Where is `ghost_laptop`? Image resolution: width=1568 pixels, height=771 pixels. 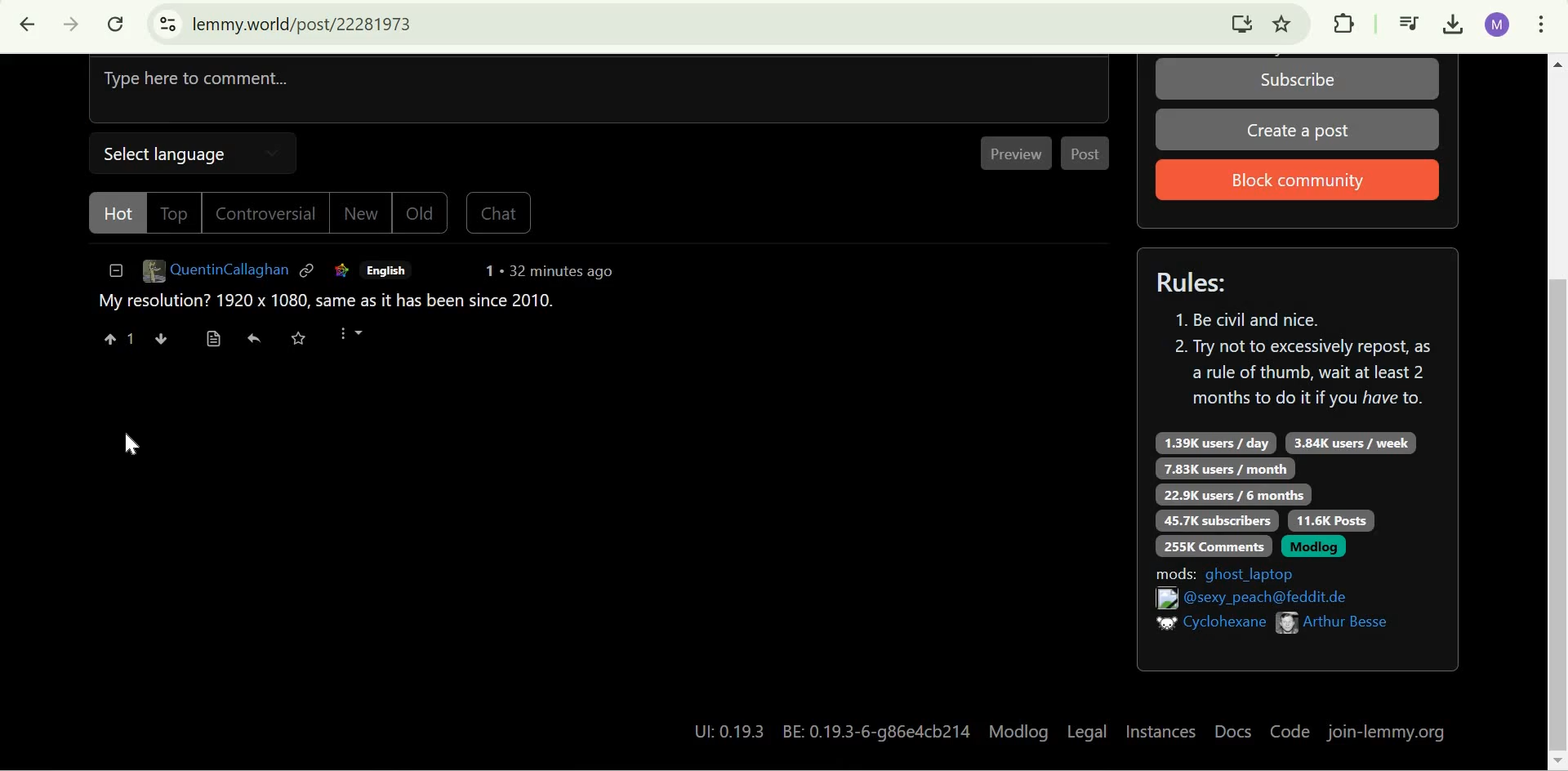
ghost_laptop is located at coordinates (1254, 573).